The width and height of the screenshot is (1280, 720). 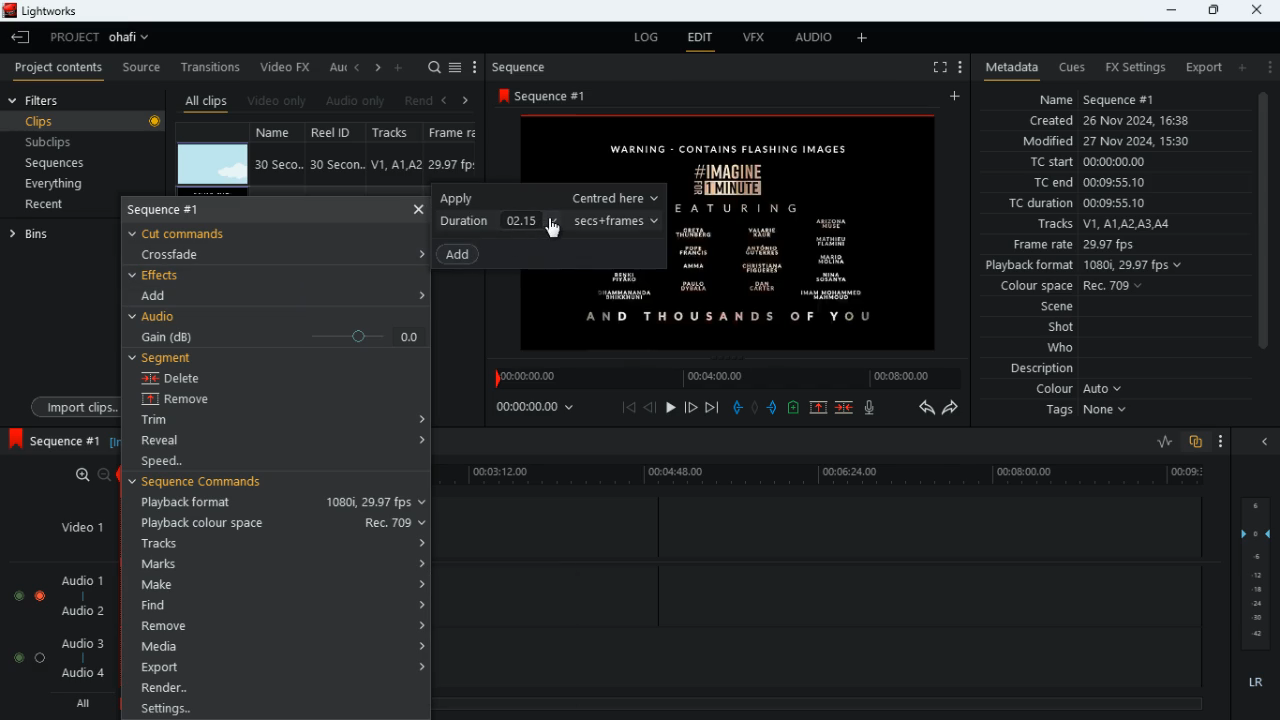 I want to click on effects, so click(x=158, y=275).